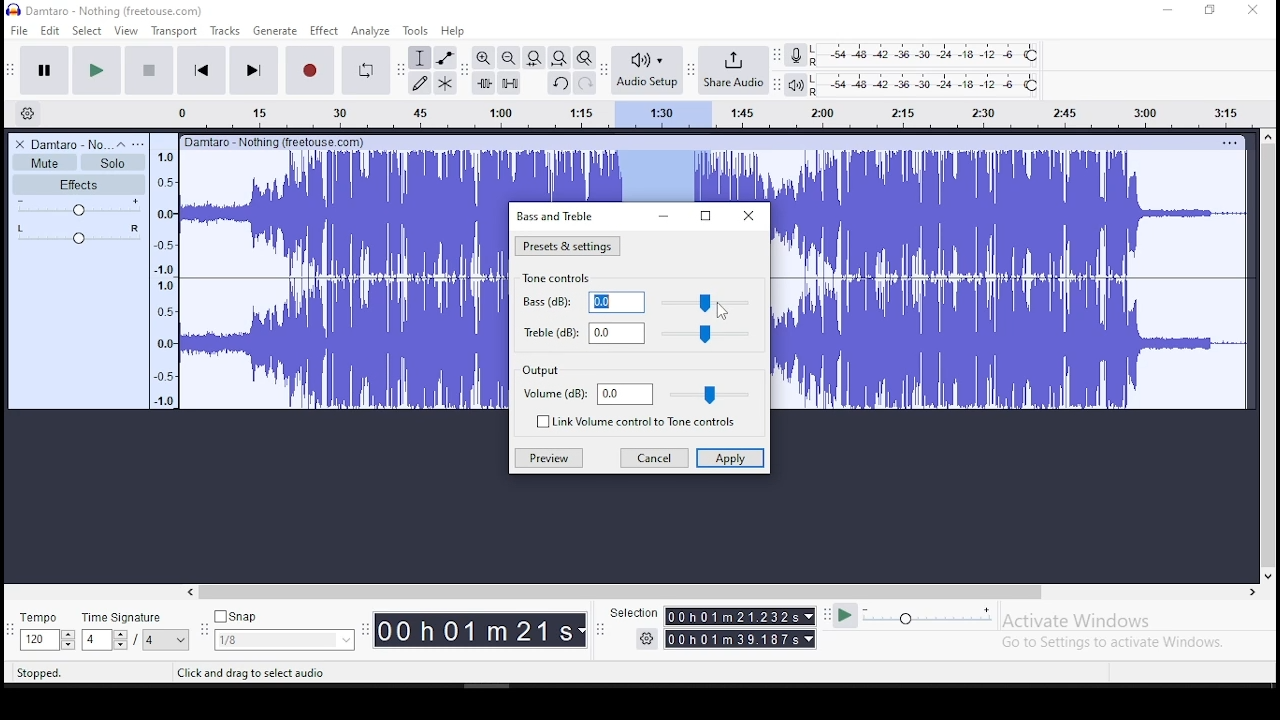 This screenshot has width=1280, height=720. Describe the element at coordinates (308, 70) in the screenshot. I see `record` at that location.